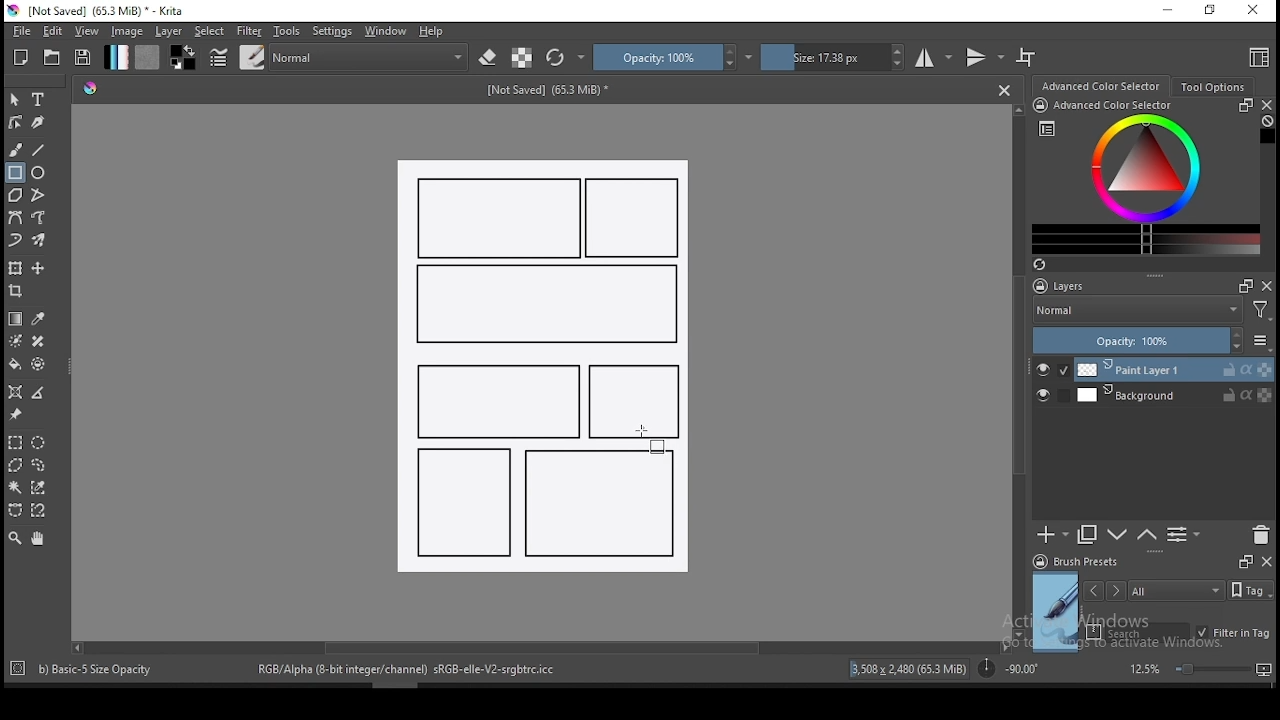  Describe the element at coordinates (17, 341) in the screenshot. I see `colorize mask tool` at that location.